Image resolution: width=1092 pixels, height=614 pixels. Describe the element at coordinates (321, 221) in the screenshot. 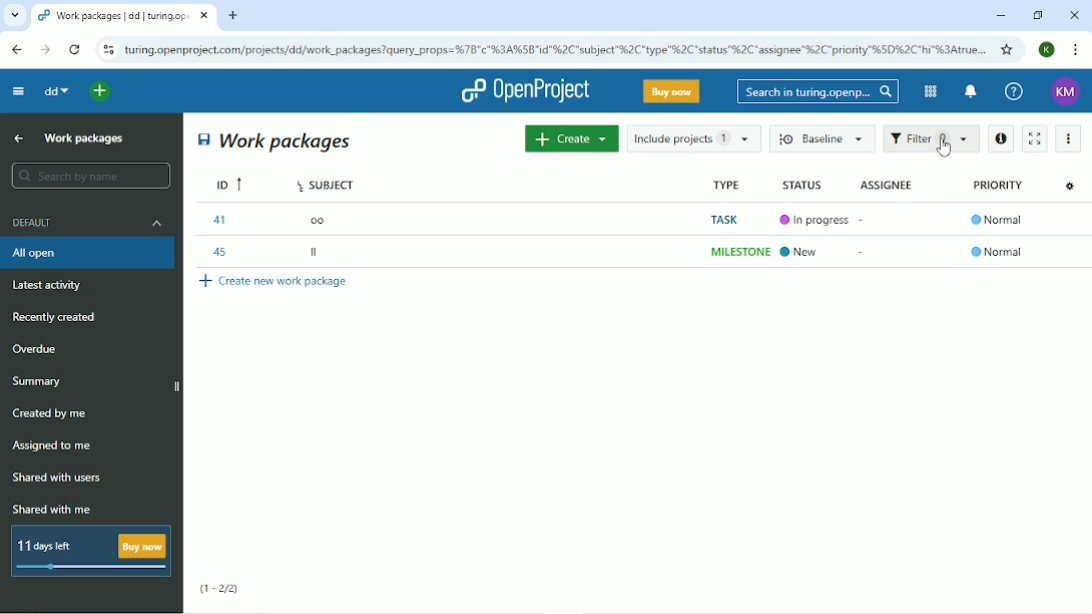

I see `oo` at that location.